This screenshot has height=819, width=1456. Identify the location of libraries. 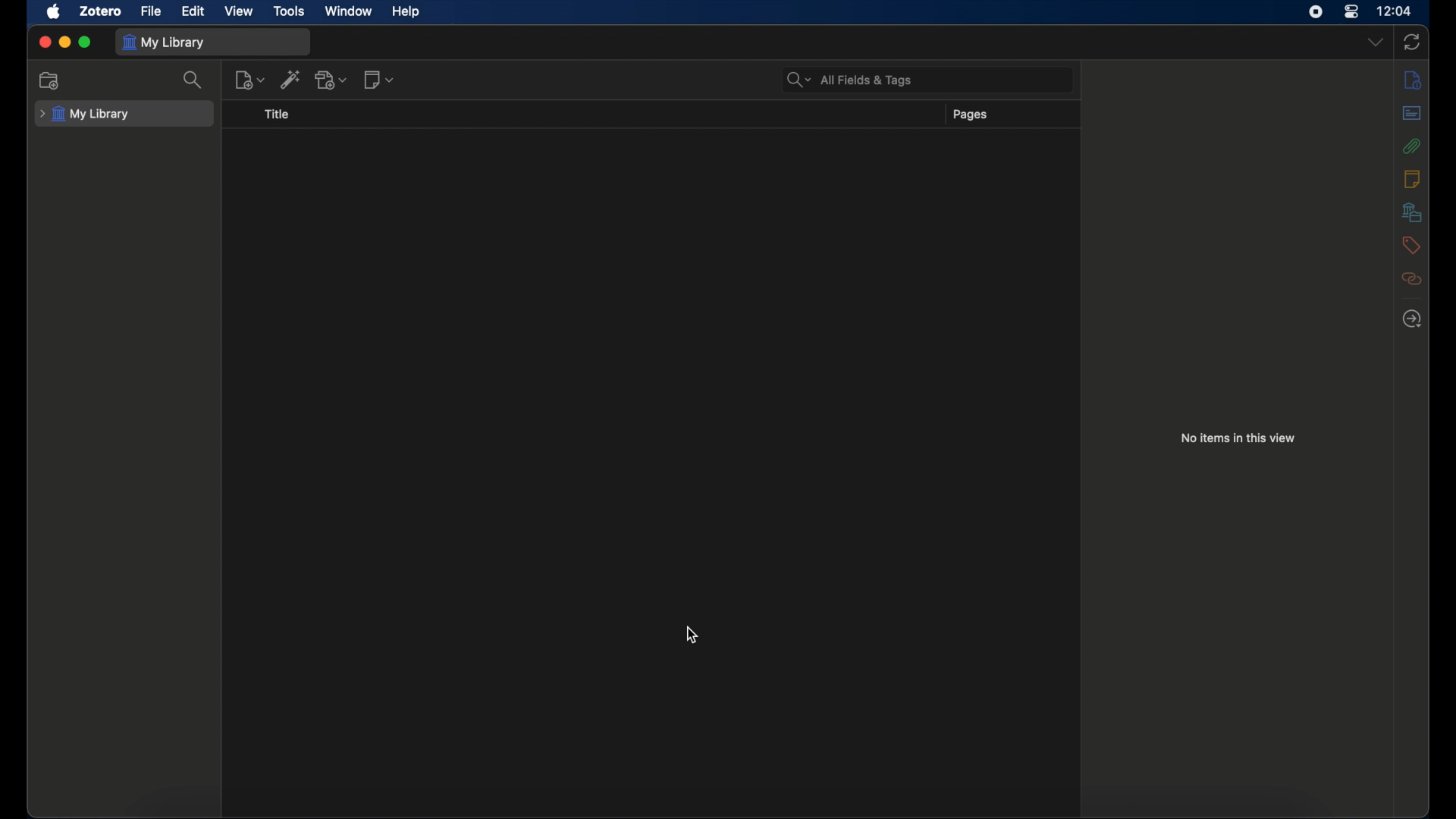
(1411, 212).